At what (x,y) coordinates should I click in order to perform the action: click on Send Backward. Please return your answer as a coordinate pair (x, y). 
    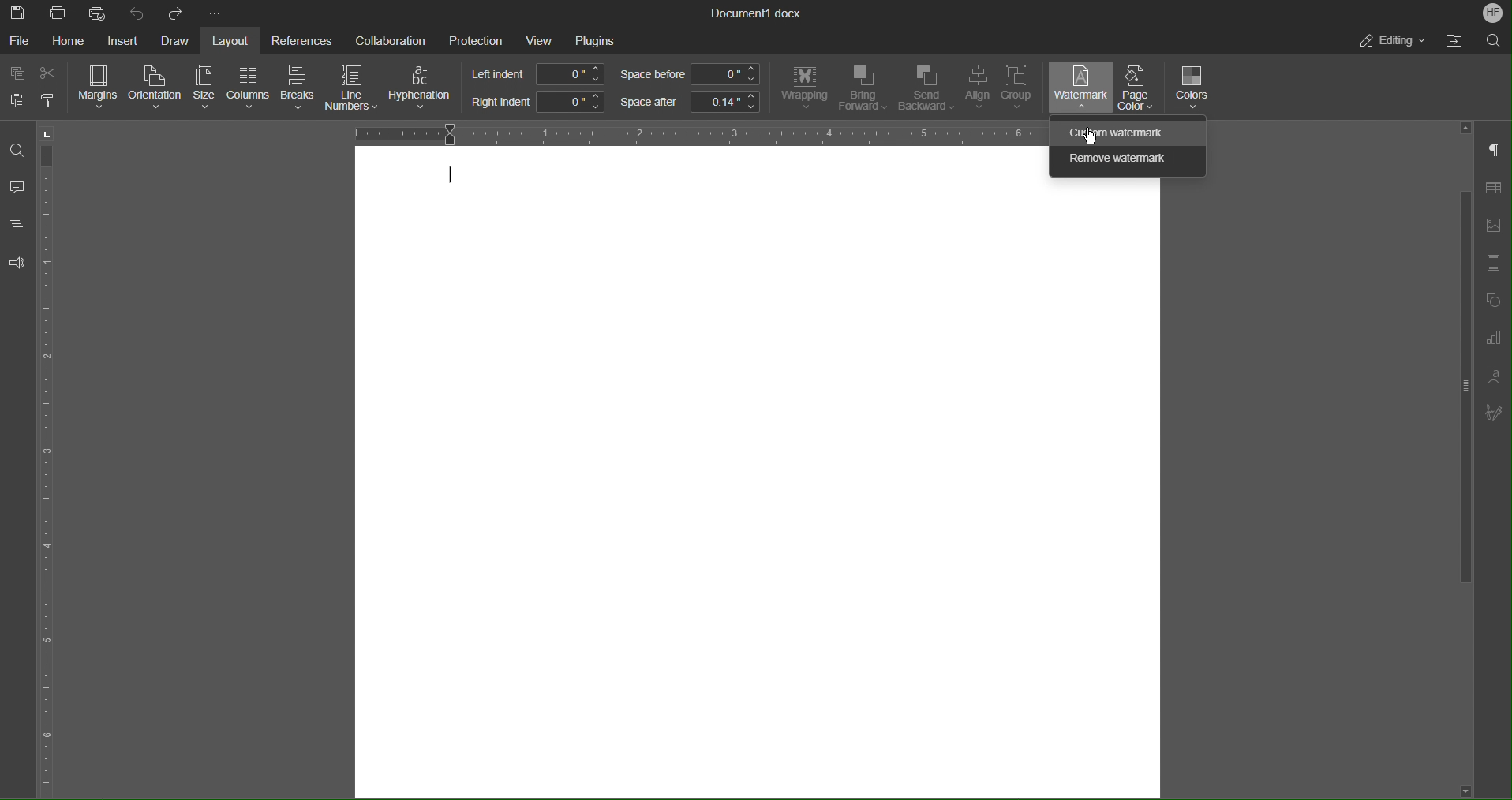
    Looking at the image, I should click on (926, 89).